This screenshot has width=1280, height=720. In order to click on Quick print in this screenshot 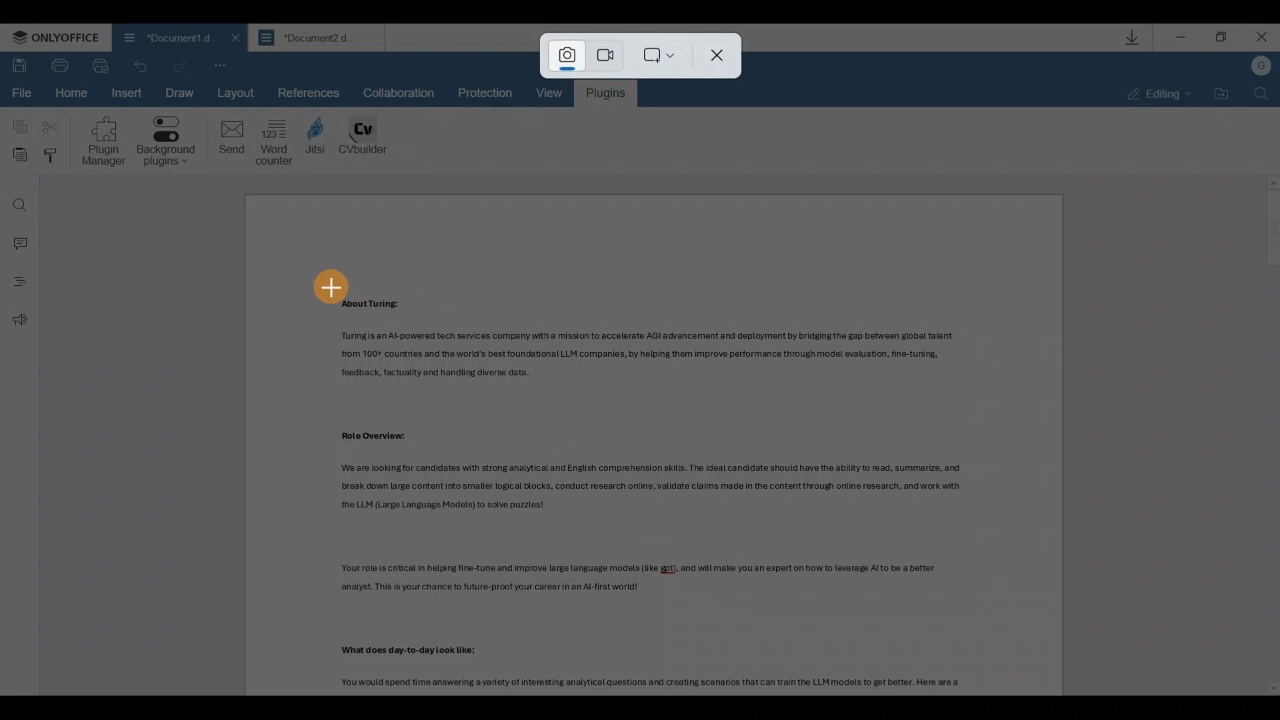, I will do `click(104, 66)`.